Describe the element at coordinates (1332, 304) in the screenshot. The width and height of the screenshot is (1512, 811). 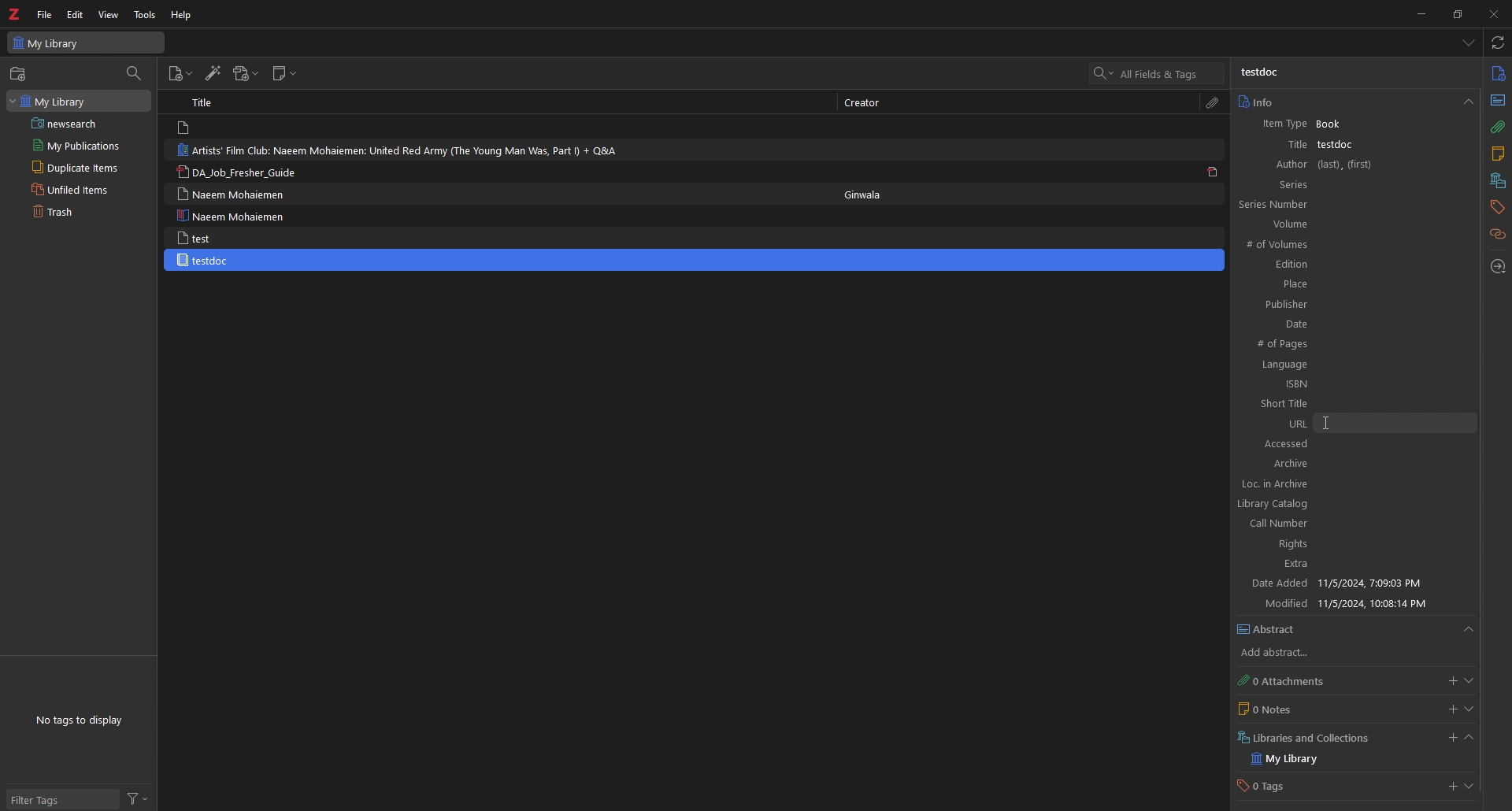
I see `Publisher` at that location.